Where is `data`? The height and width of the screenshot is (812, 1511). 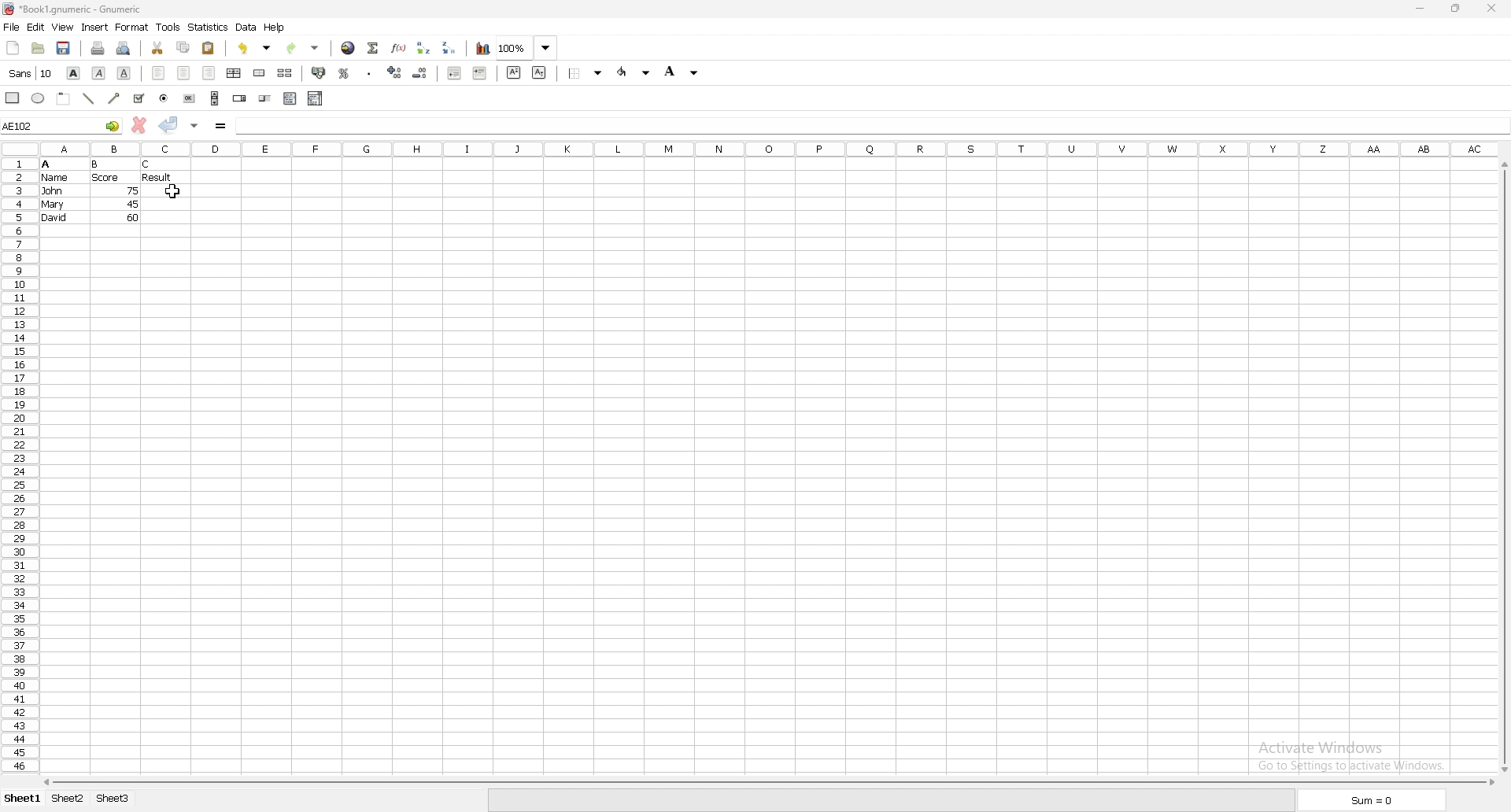
data is located at coordinates (246, 27).